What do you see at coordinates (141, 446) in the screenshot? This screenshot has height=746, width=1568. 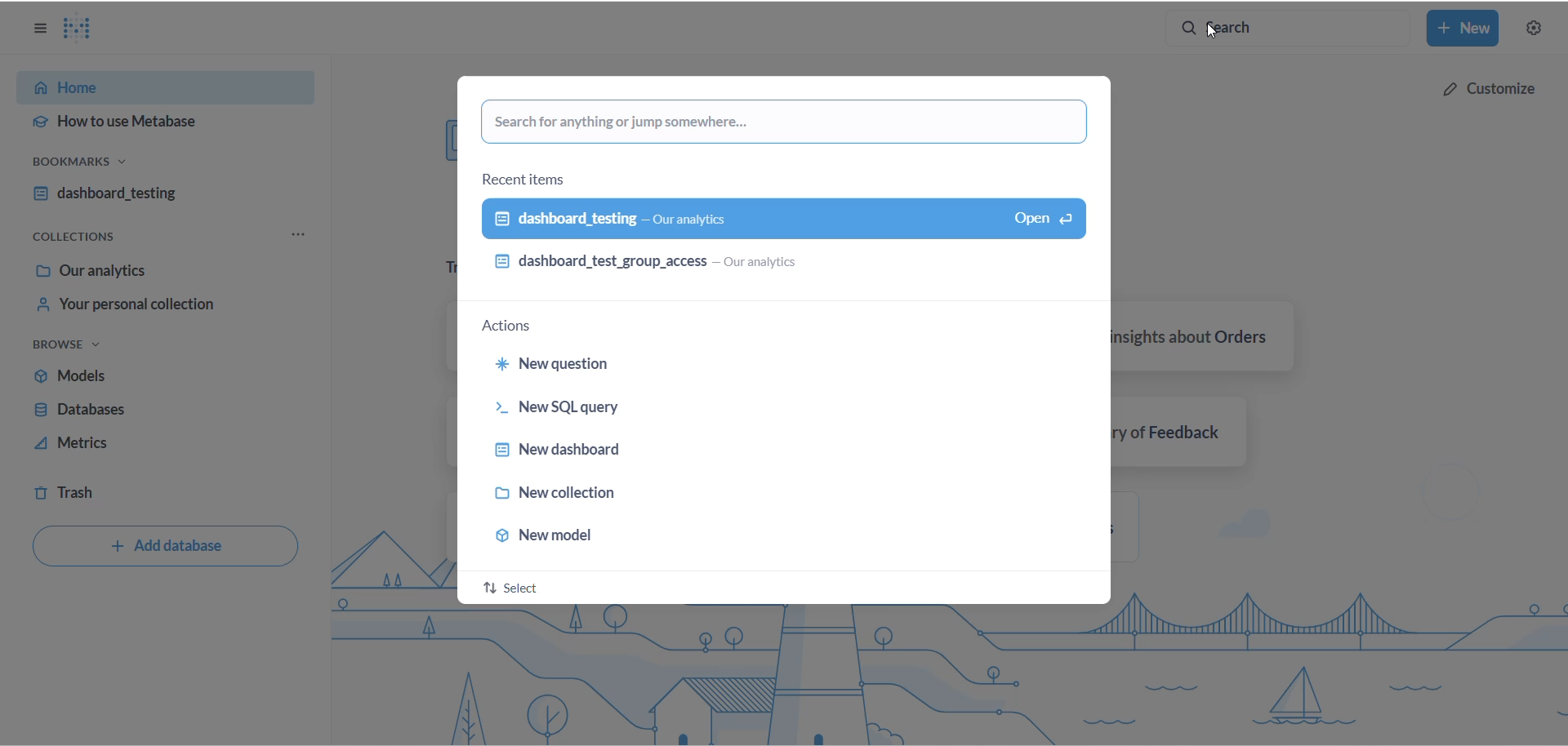 I see `metrics ` at bounding box center [141, 446].